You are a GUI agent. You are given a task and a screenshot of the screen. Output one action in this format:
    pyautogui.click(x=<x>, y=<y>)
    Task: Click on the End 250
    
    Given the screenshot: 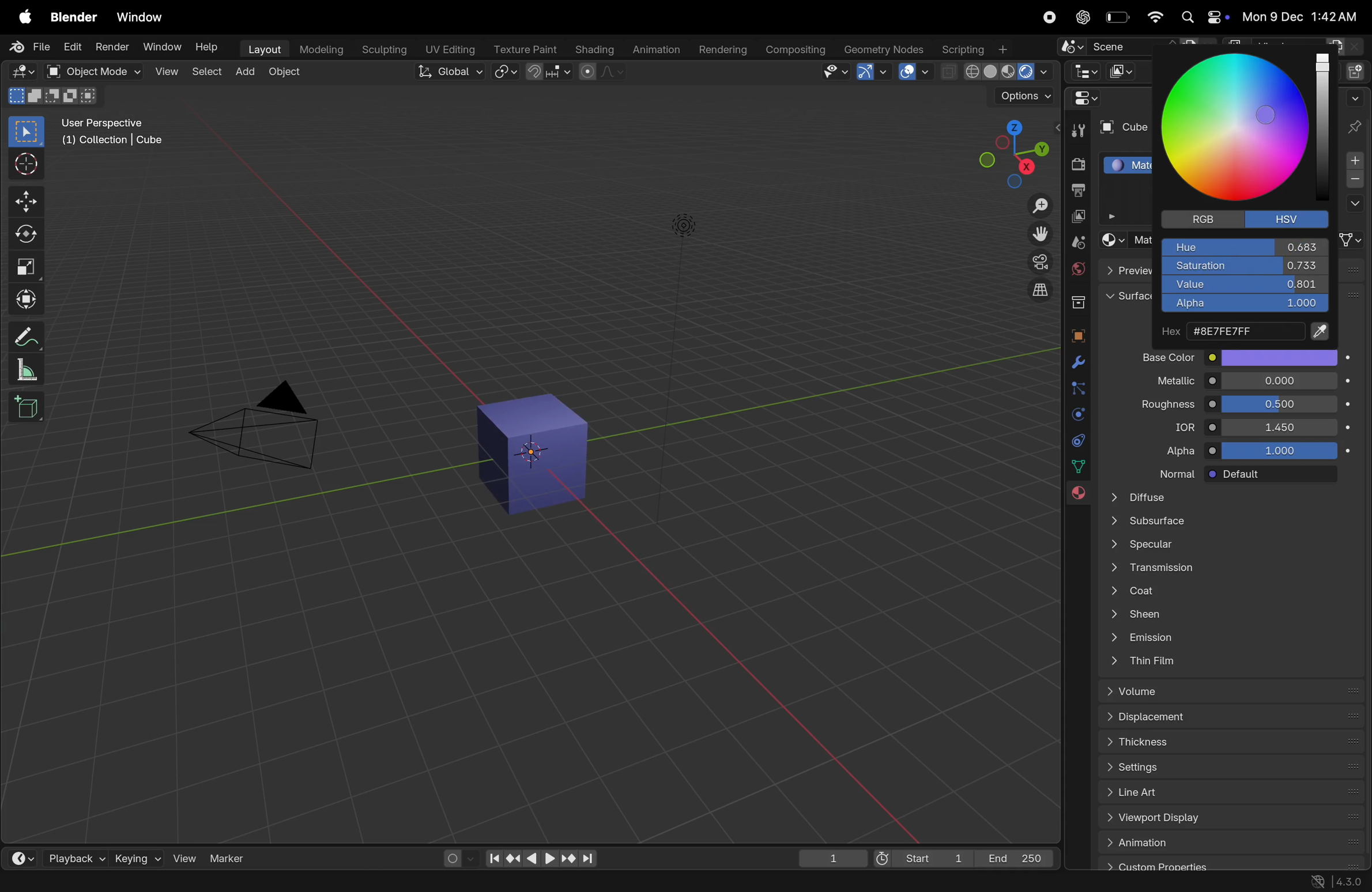 What is the action you would take?
    pyautogui.click(x=1015, y=858)
    